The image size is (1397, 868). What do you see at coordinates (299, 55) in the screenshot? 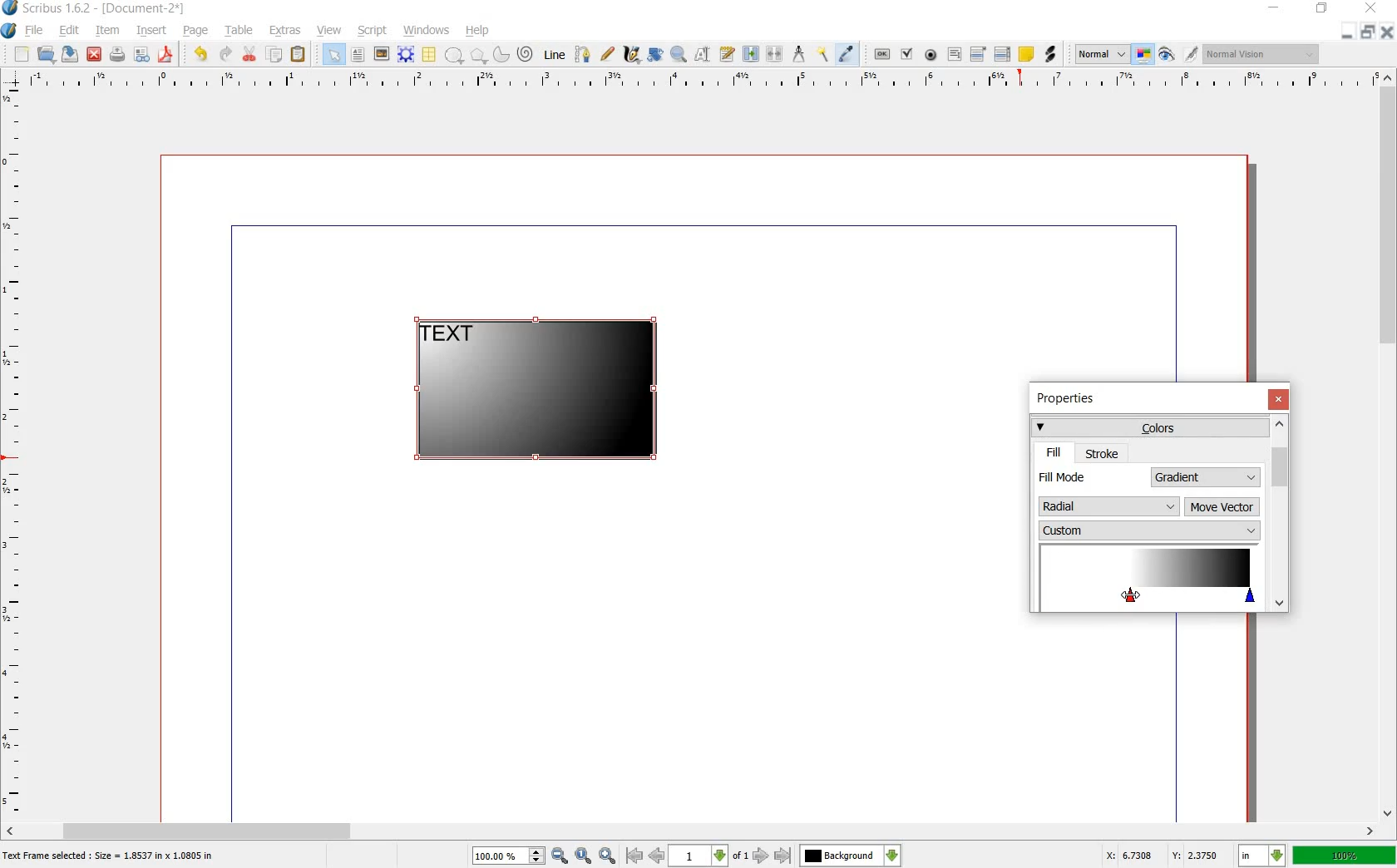
I see `paste` at bounding box center [299, 55].